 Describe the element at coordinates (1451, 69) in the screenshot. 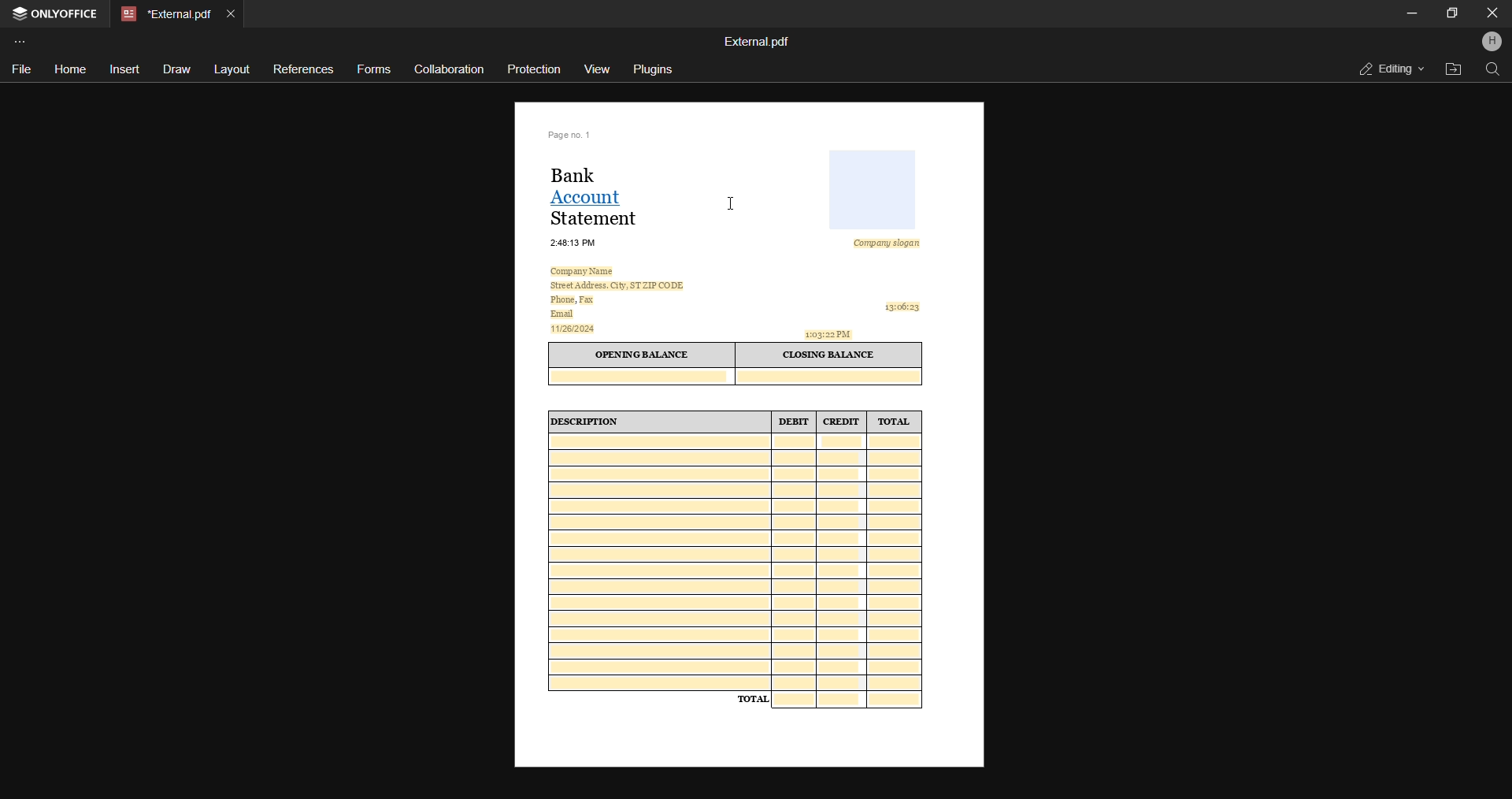

I see `open file location` at that location.